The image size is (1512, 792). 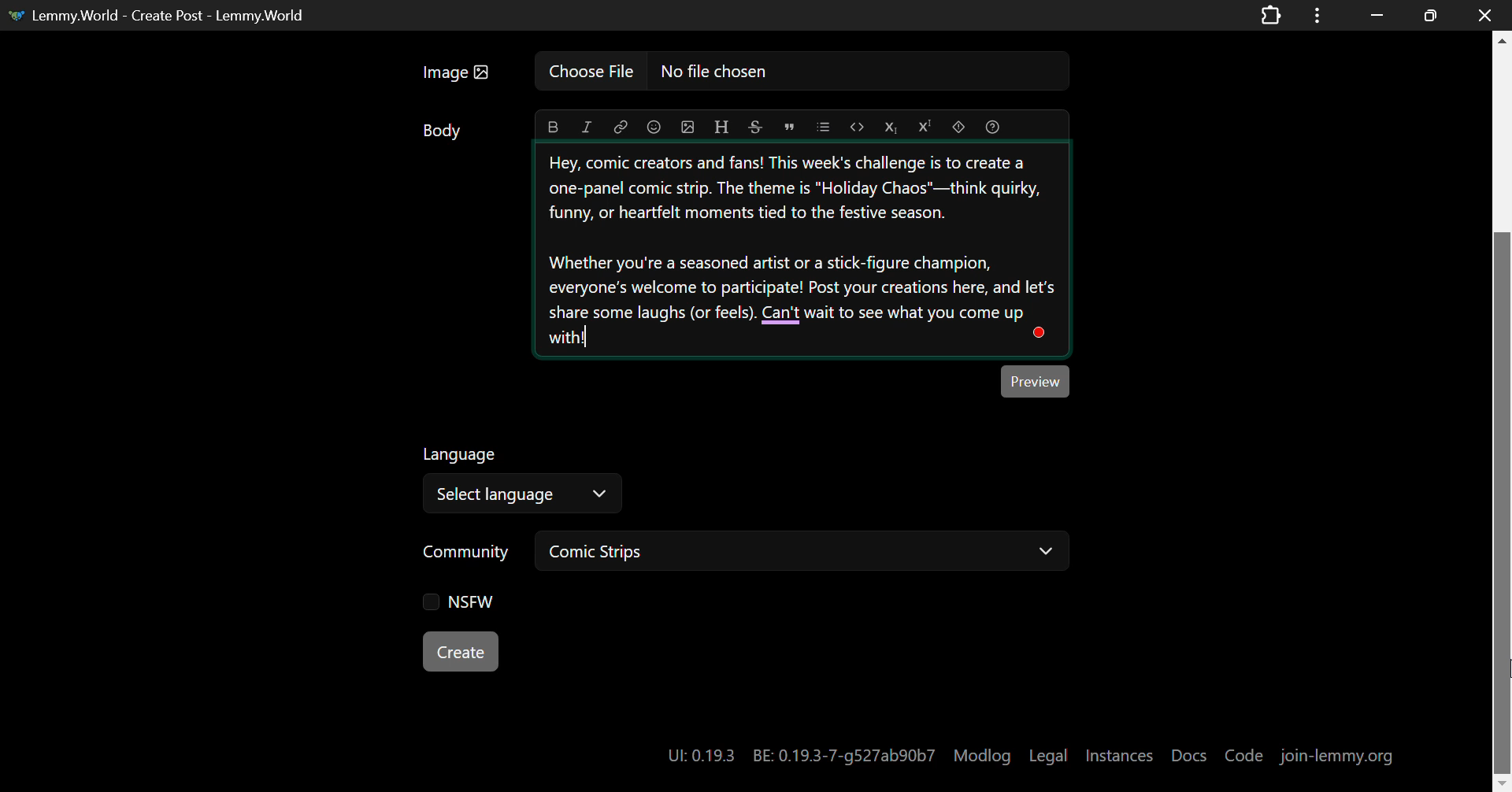 I want to click on Vertical Scroll Bar, so click(x=1503, y=418).